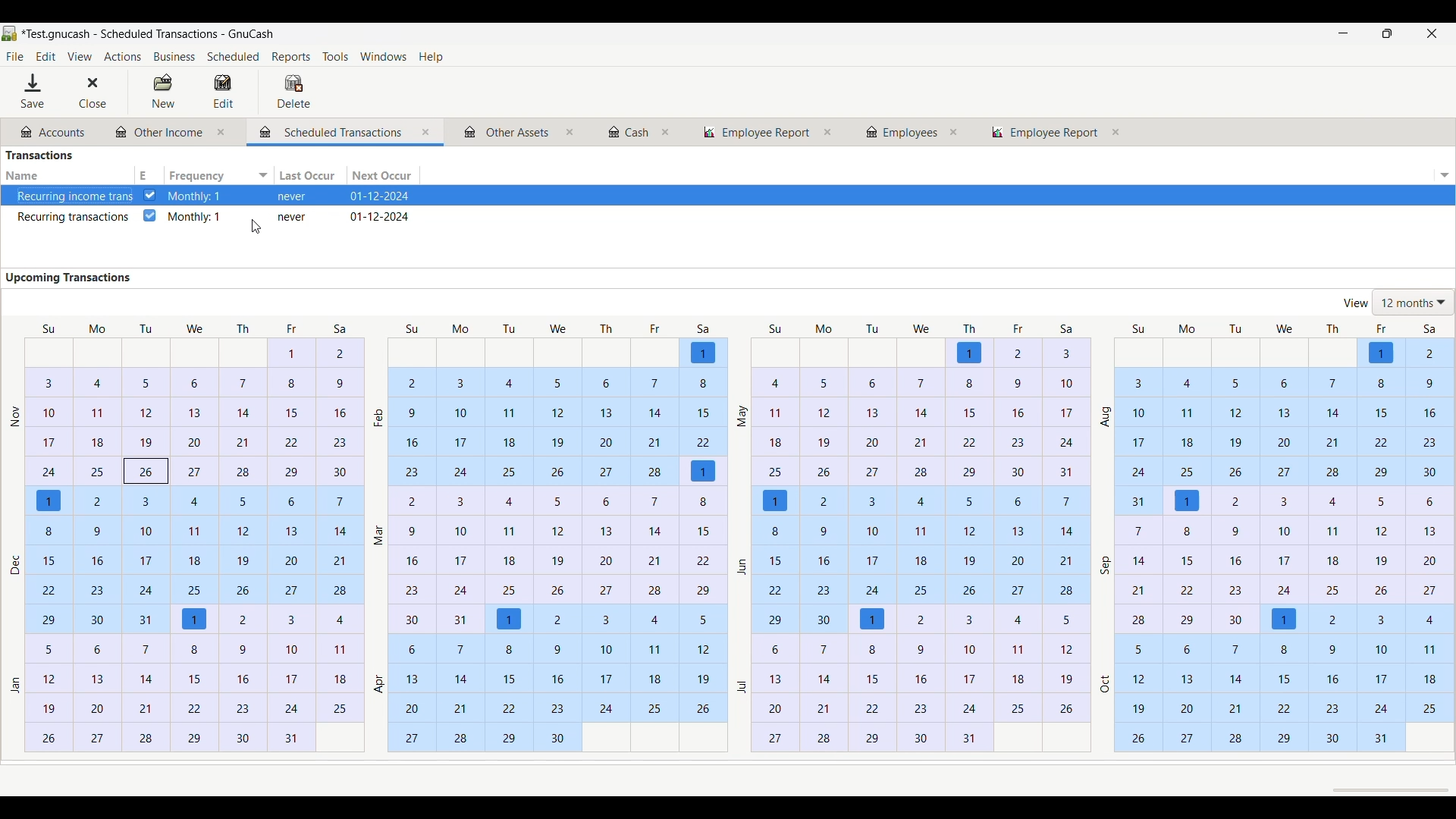  Describe the element at coordinates (218, 175) in the screenshot. I see `Frequency column, current sorting` at that location.